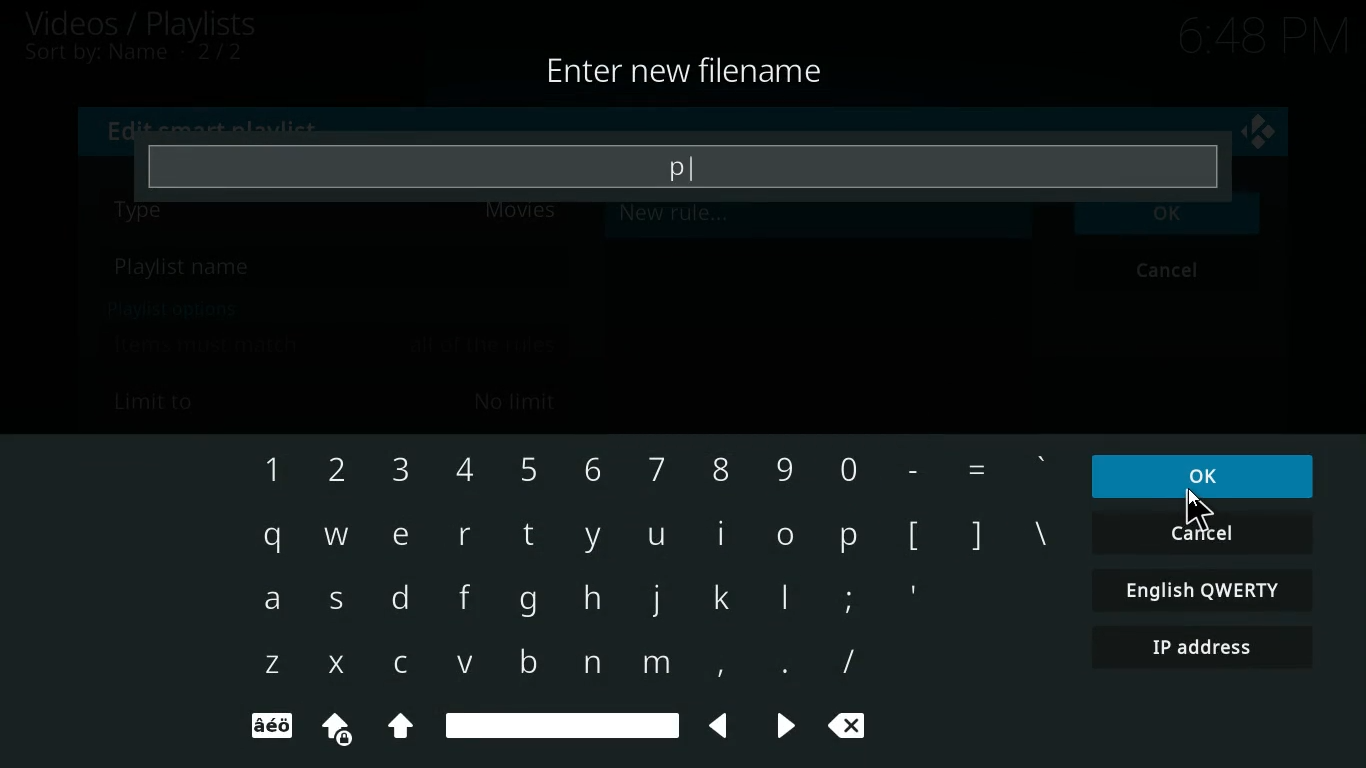 This screenshot has width=1366, height=768. Describe the element at coordinates (847, 597) in the screenshot. I see `;` at that location.